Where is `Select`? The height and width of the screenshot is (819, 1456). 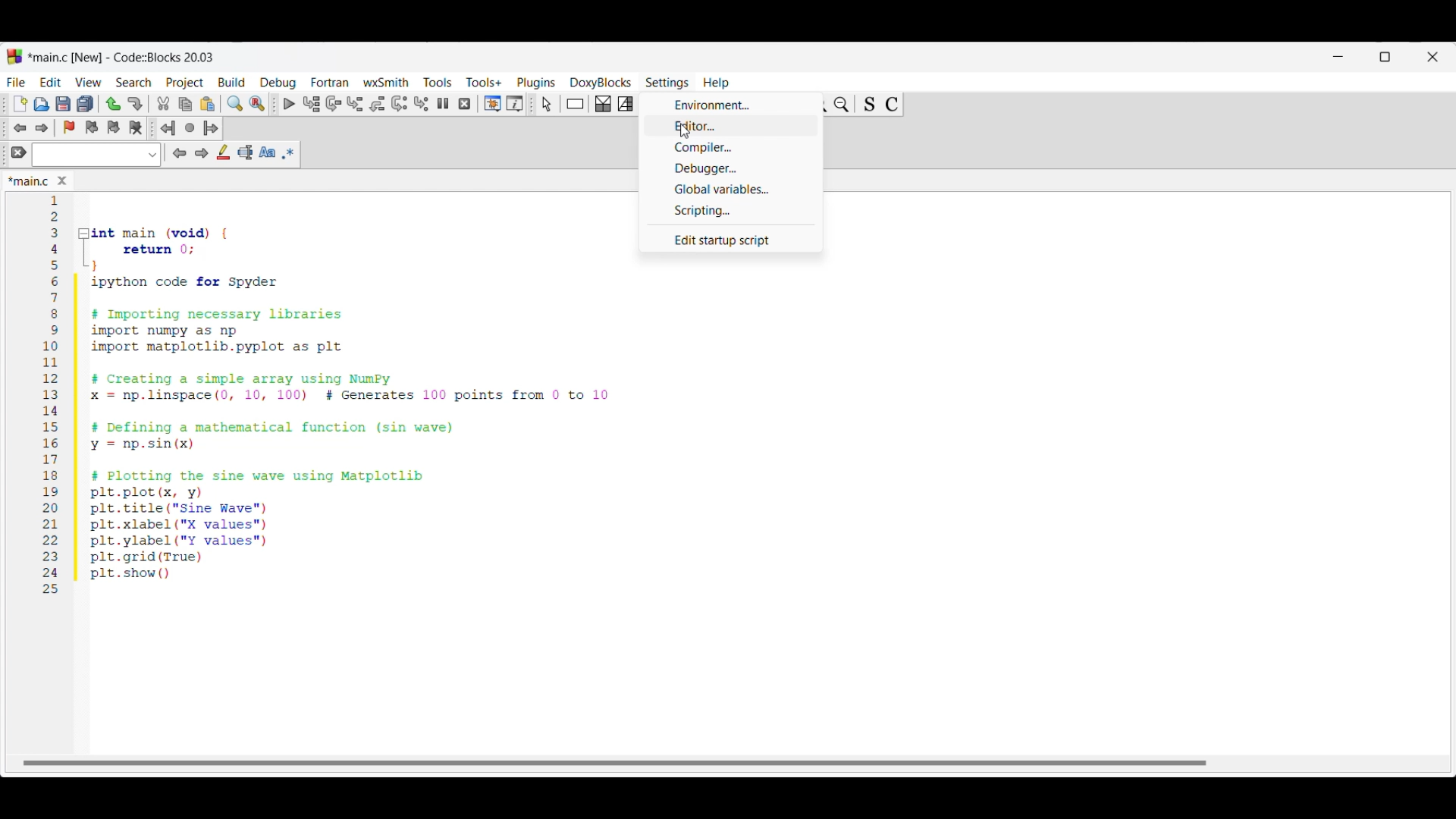 Select is located at coordinates (547, 104).